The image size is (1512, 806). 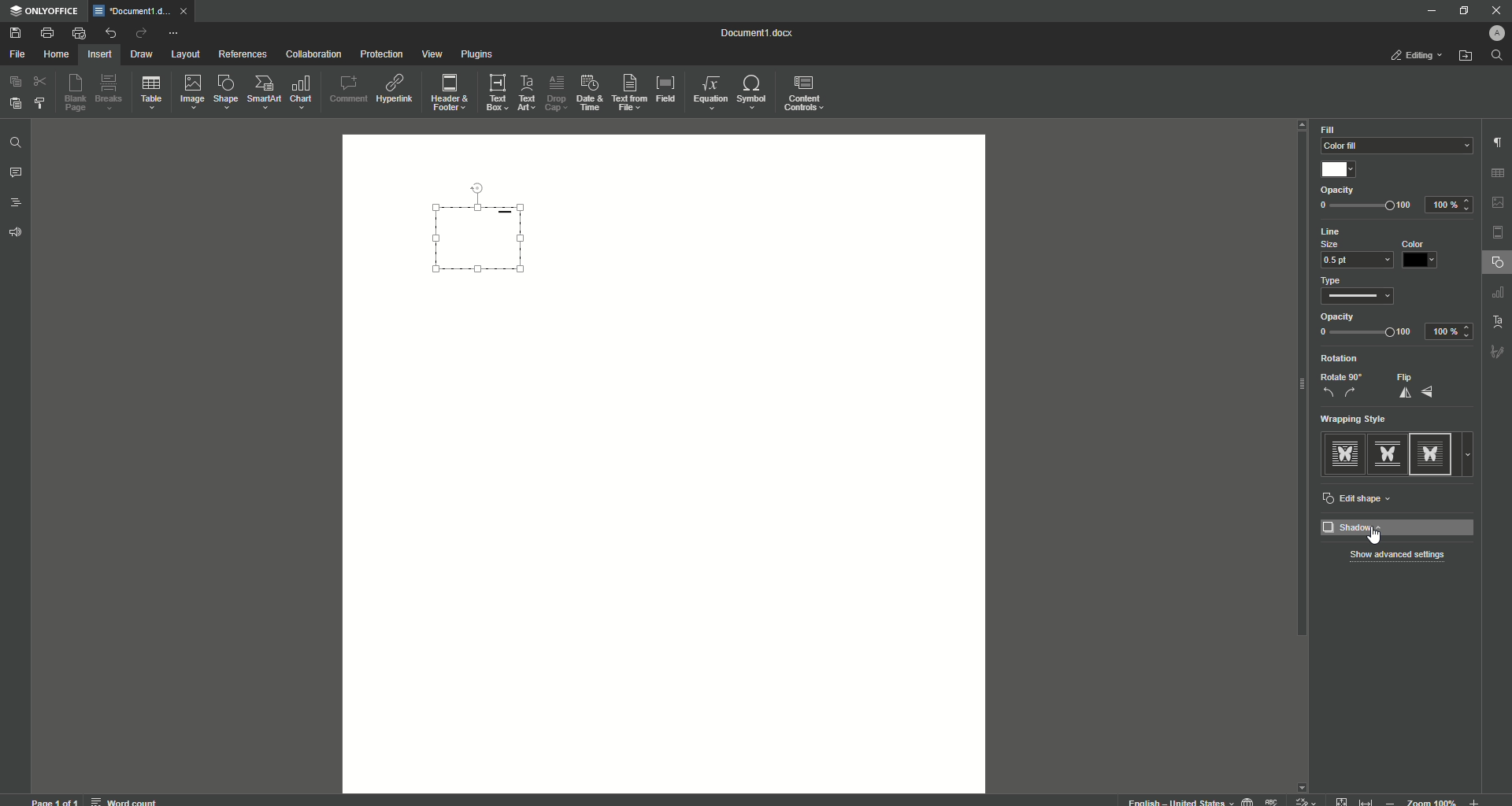 I want to click on scroll down, so click(x=1303, y=783).